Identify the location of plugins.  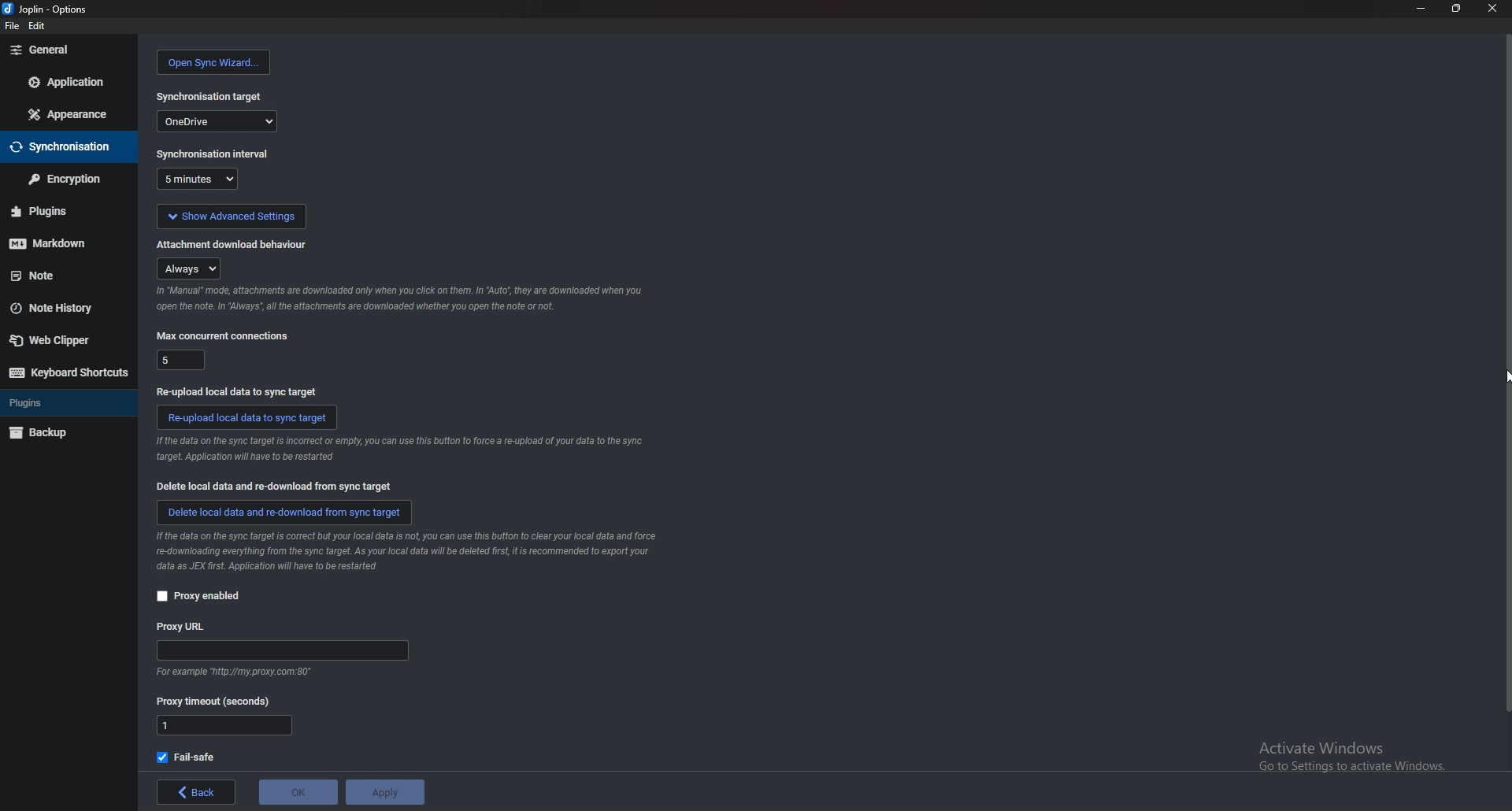
(56, 211).